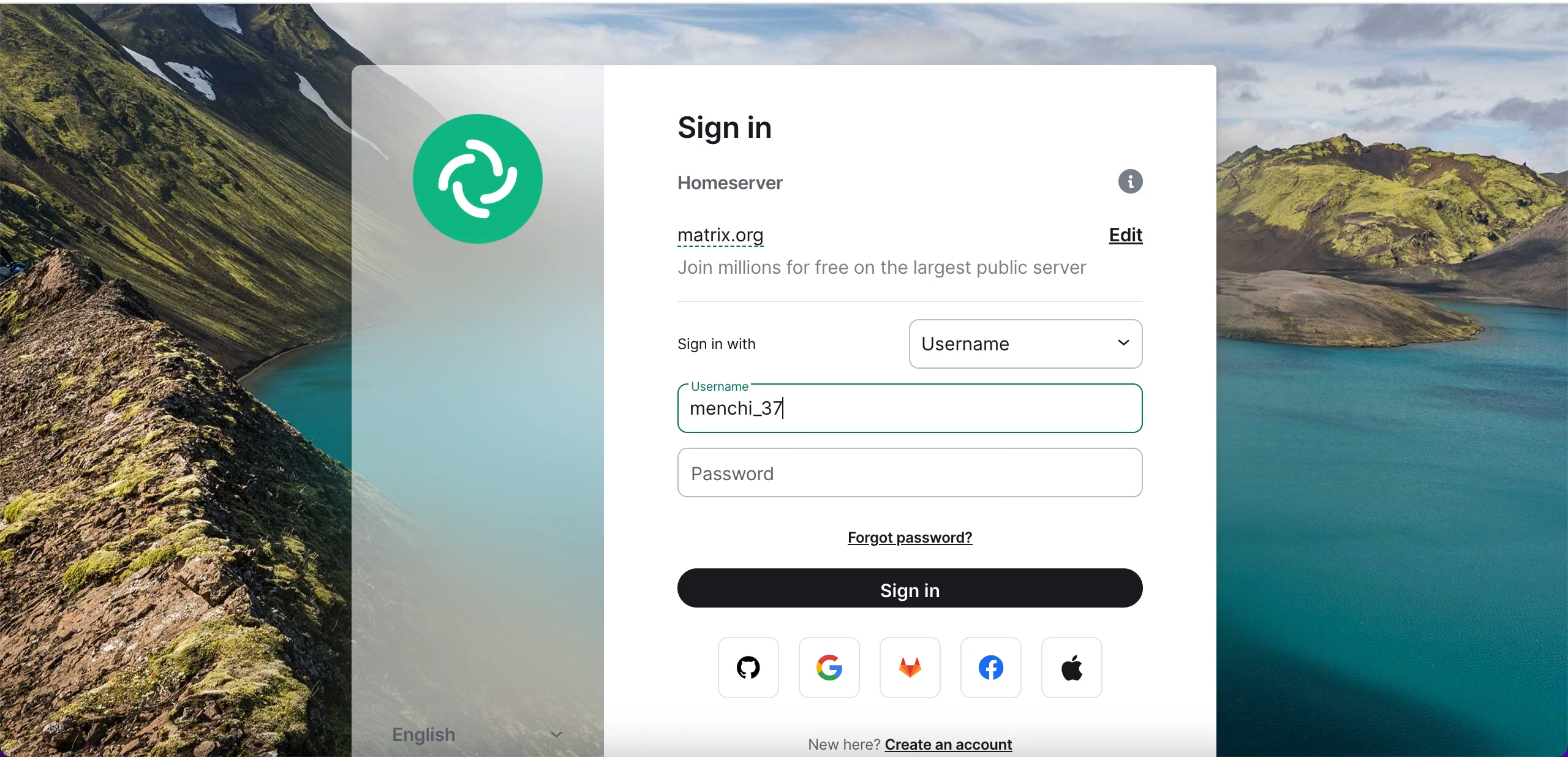 The height and width of the screenshot is (757, 1568). Describe the element at coordinates (761, 183) in the screenshot. I see `homeserver` at that location.